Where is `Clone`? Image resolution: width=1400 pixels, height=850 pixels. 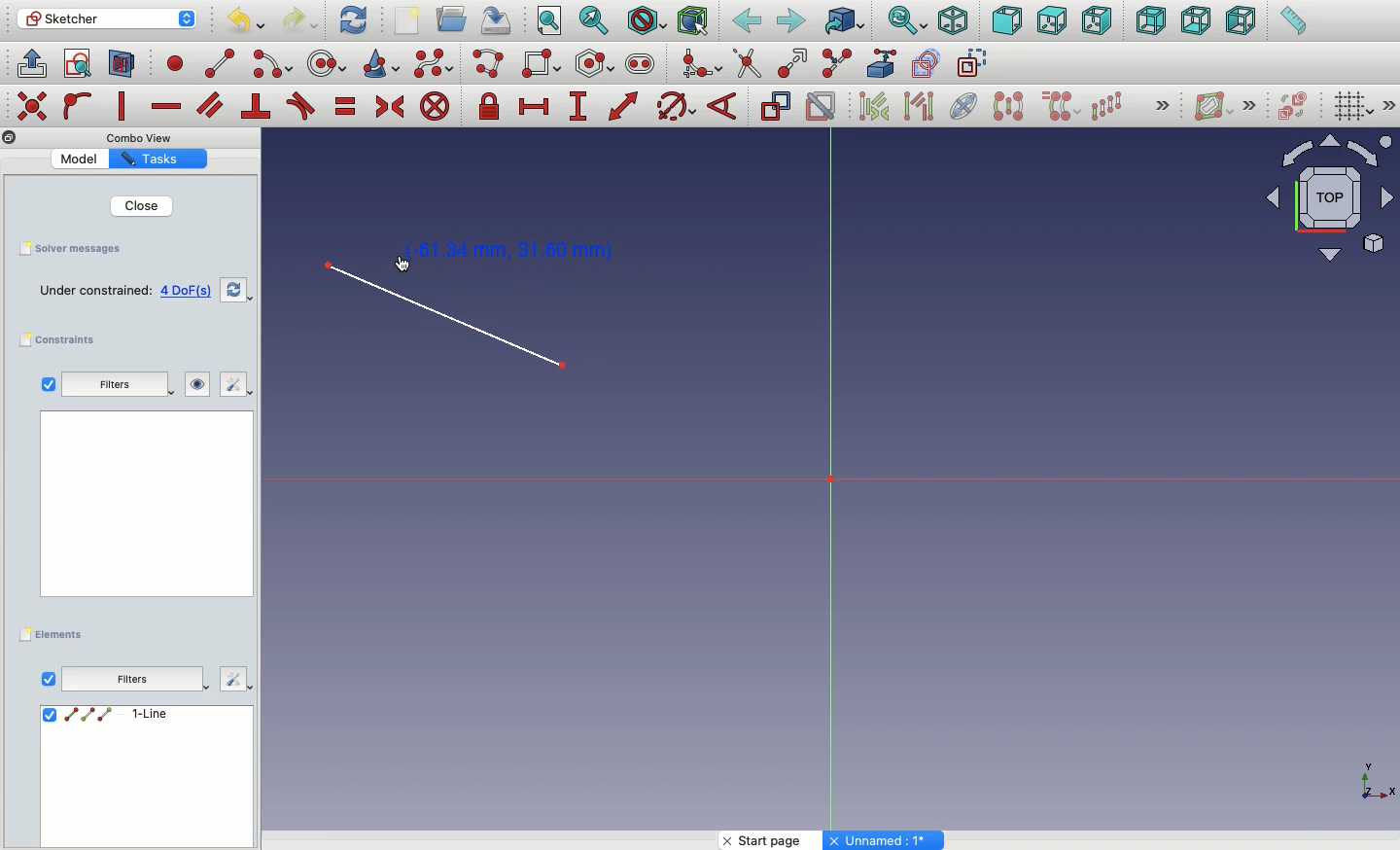
Clone is located at coordinates (1063, 108).